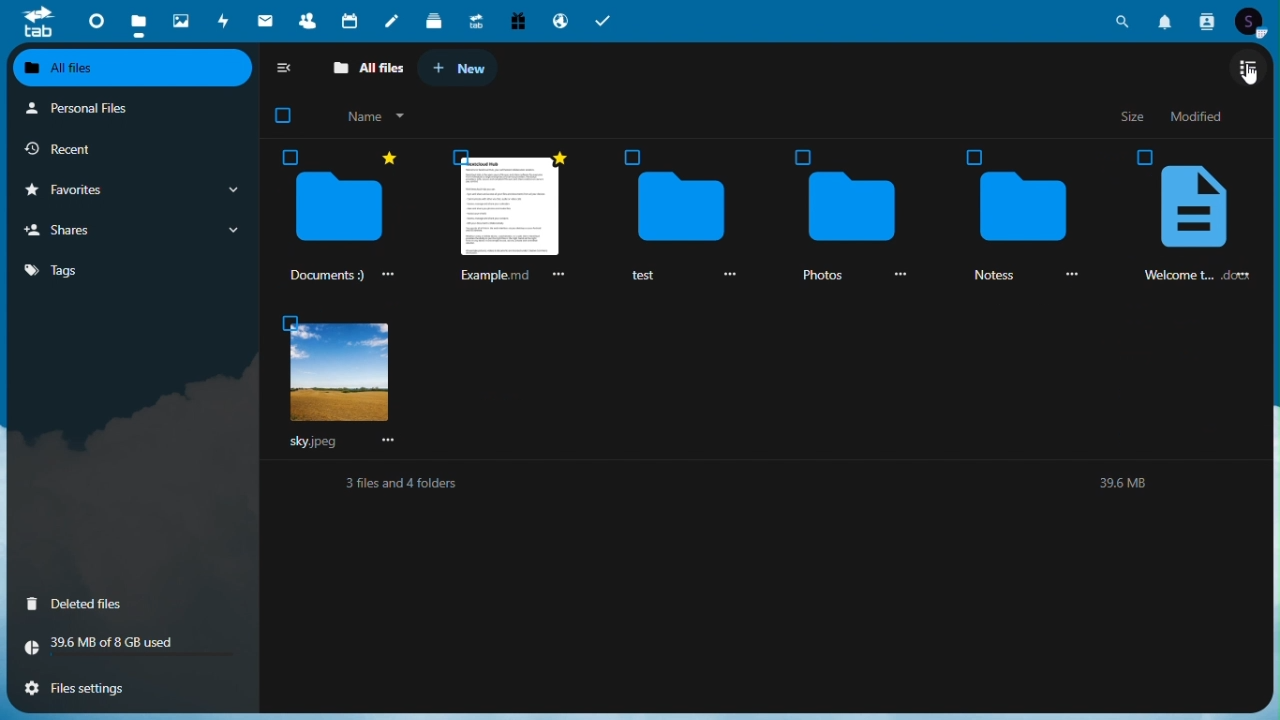 This screenshot has height=720, width=1280. What do you see at coordinates (431, 20) in the screenshot?
I see `deck` at bounding box center [431, 20].